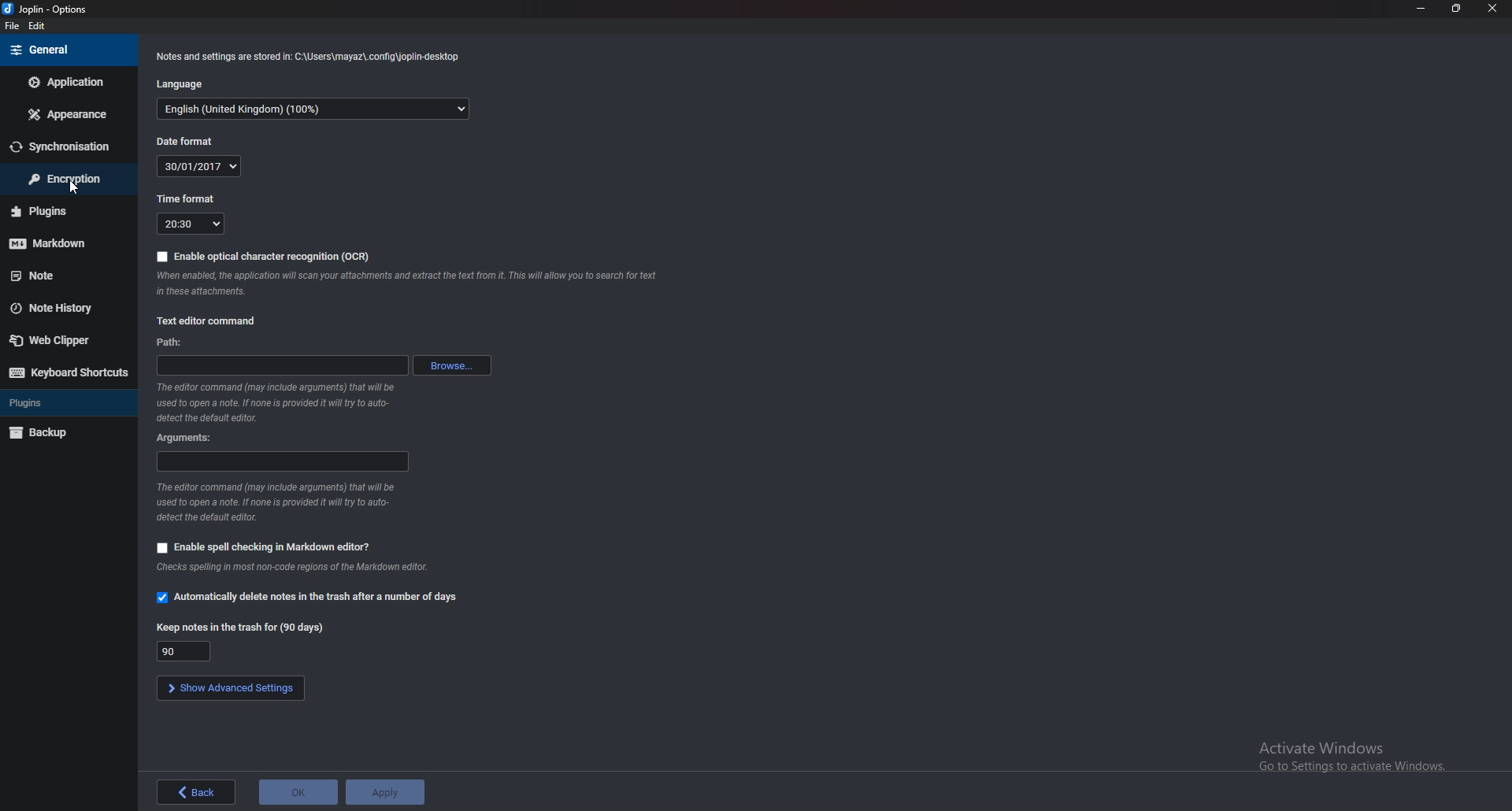  I want to click on show advanced settings, so click(232, 687).